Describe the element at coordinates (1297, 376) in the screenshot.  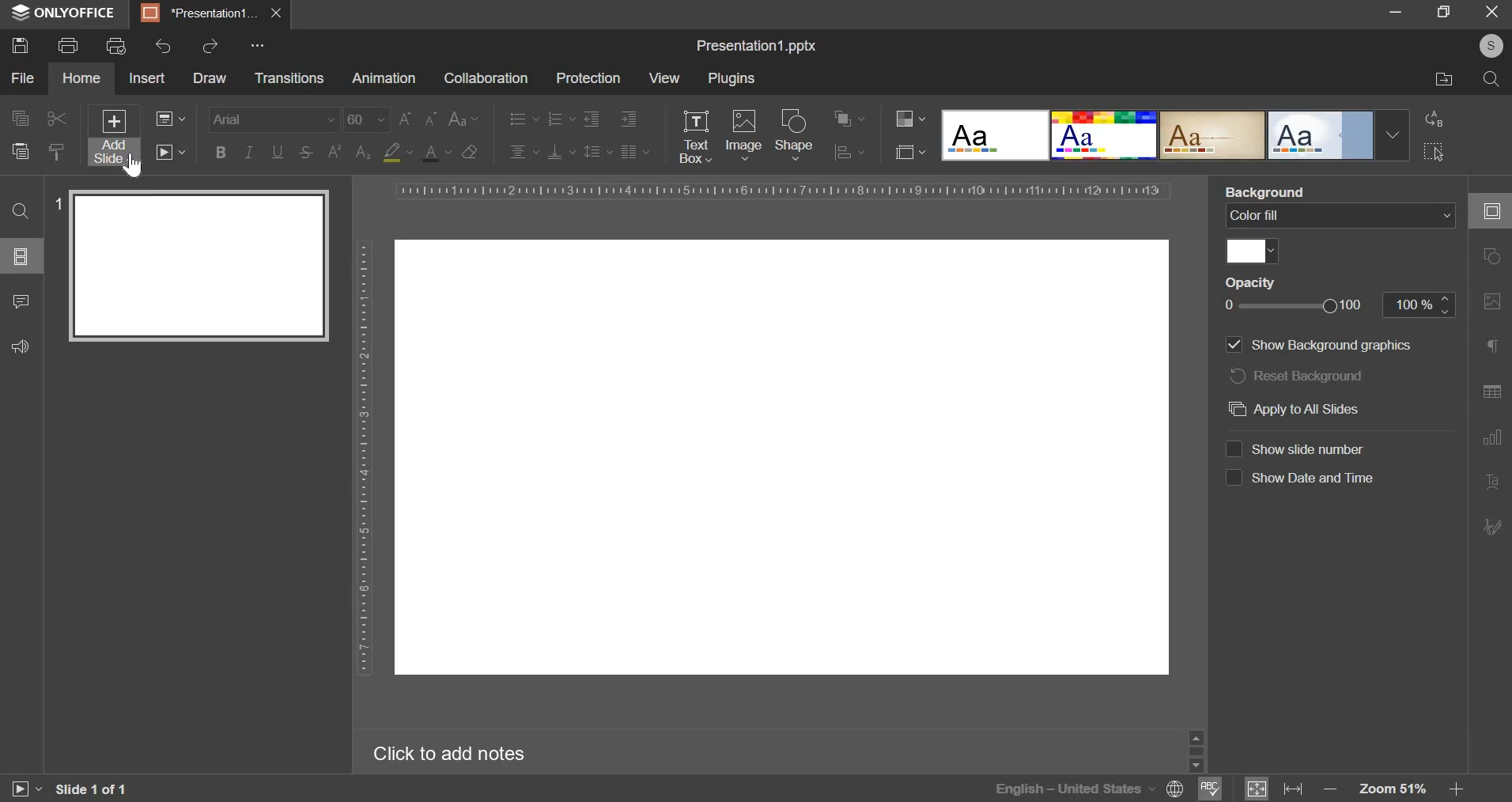
I see `reset background` at that location.